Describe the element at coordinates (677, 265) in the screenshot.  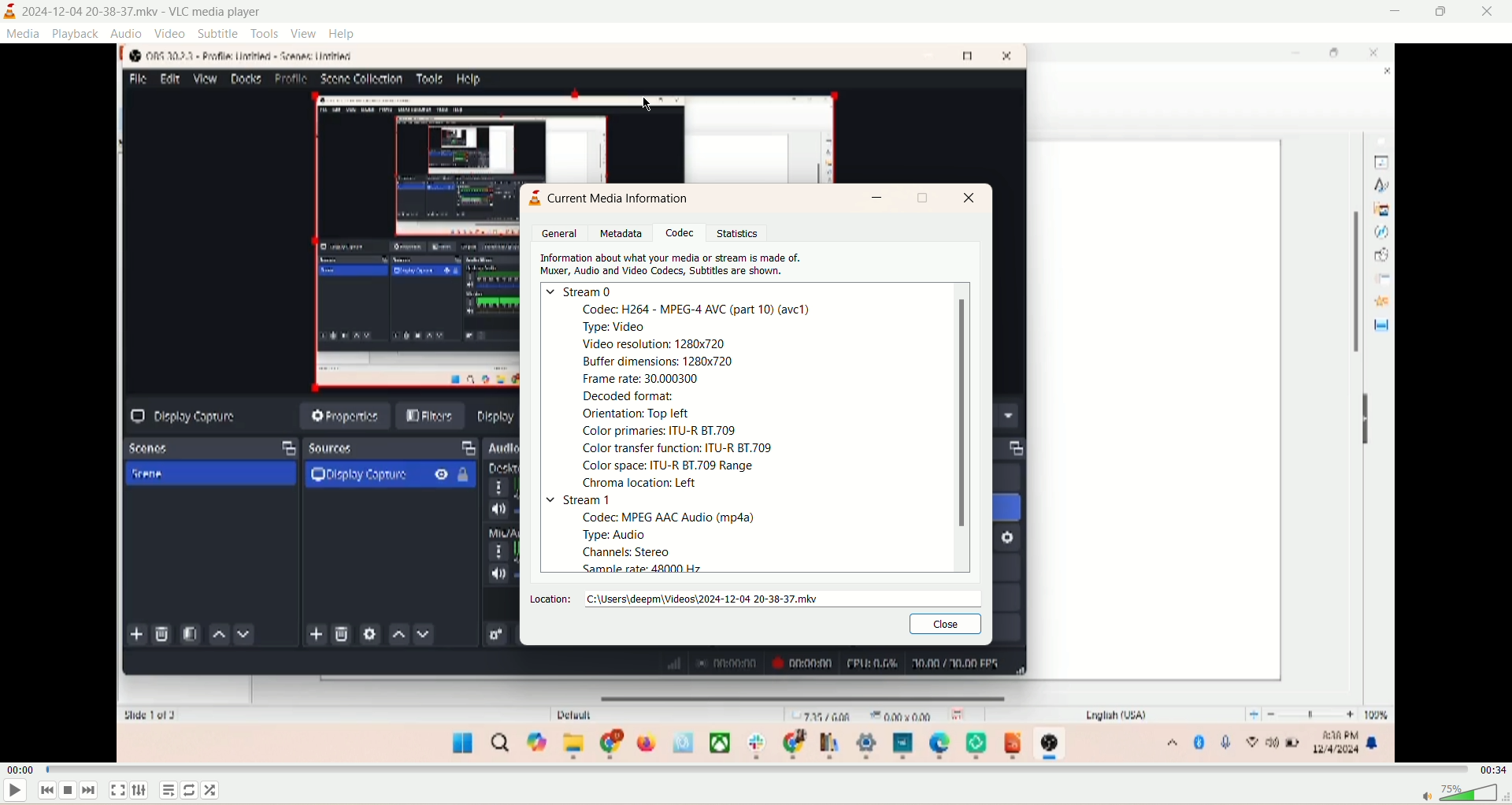
I see `Information about what your media or stream is made of.
Muxer, Audio and Video Codecs, Subtitles are shown.` at that location.